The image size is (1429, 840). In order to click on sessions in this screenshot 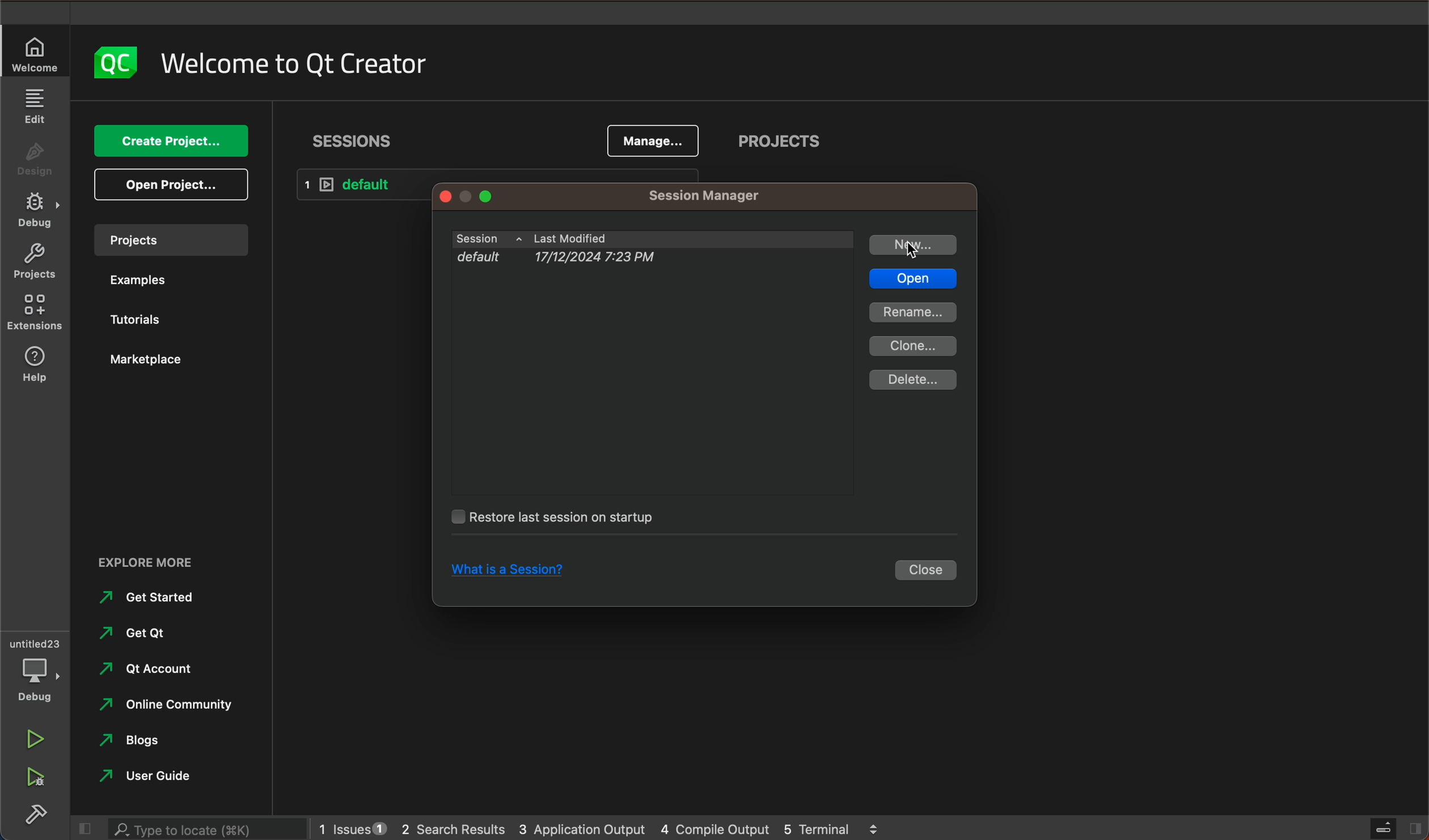, I will do `click(354, 141)`.